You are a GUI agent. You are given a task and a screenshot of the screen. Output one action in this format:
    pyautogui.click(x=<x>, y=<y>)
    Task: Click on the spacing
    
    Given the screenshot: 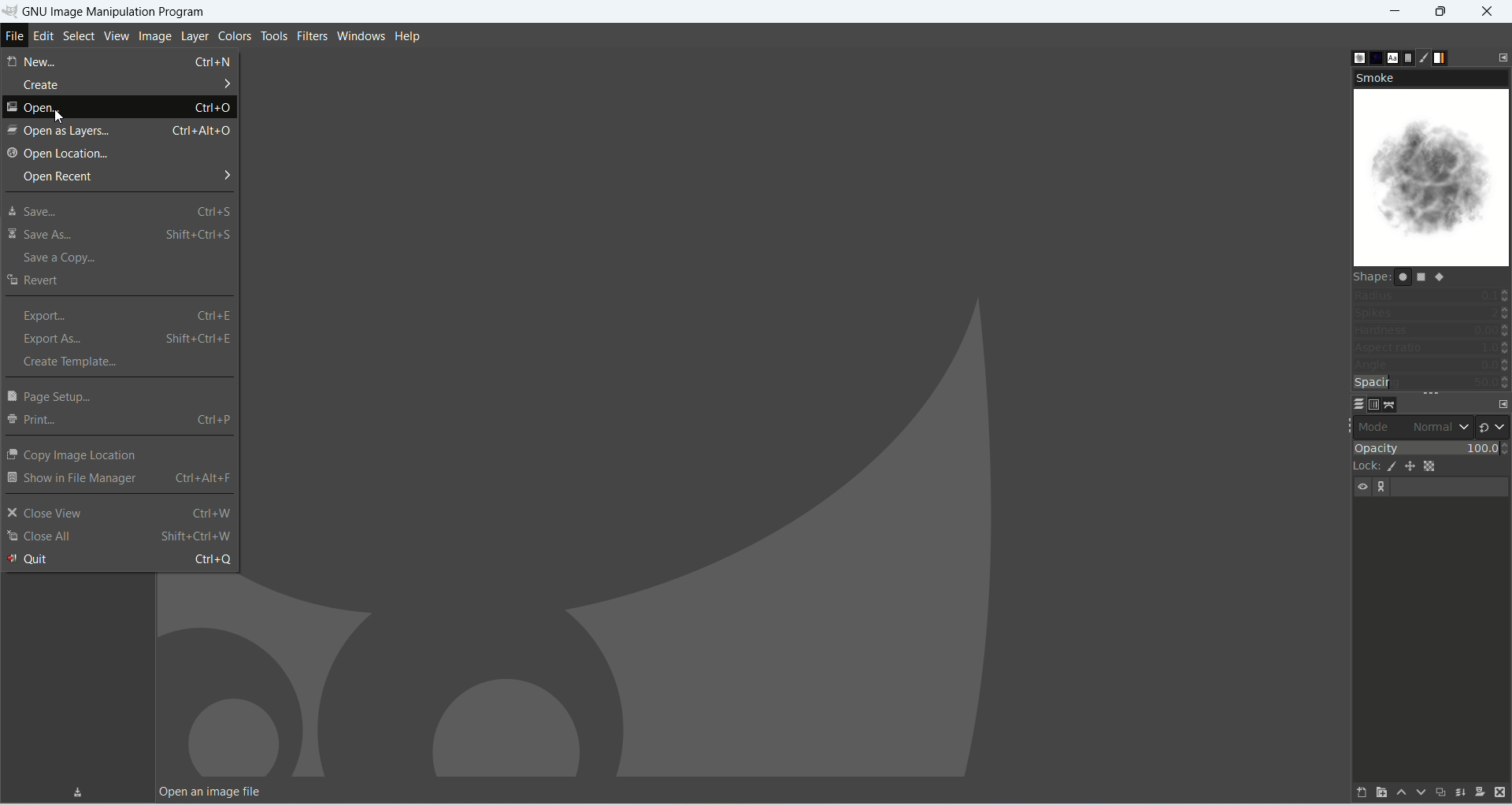 What is the action you would take?
    pyautogui.click(x=1432, y=382)
    